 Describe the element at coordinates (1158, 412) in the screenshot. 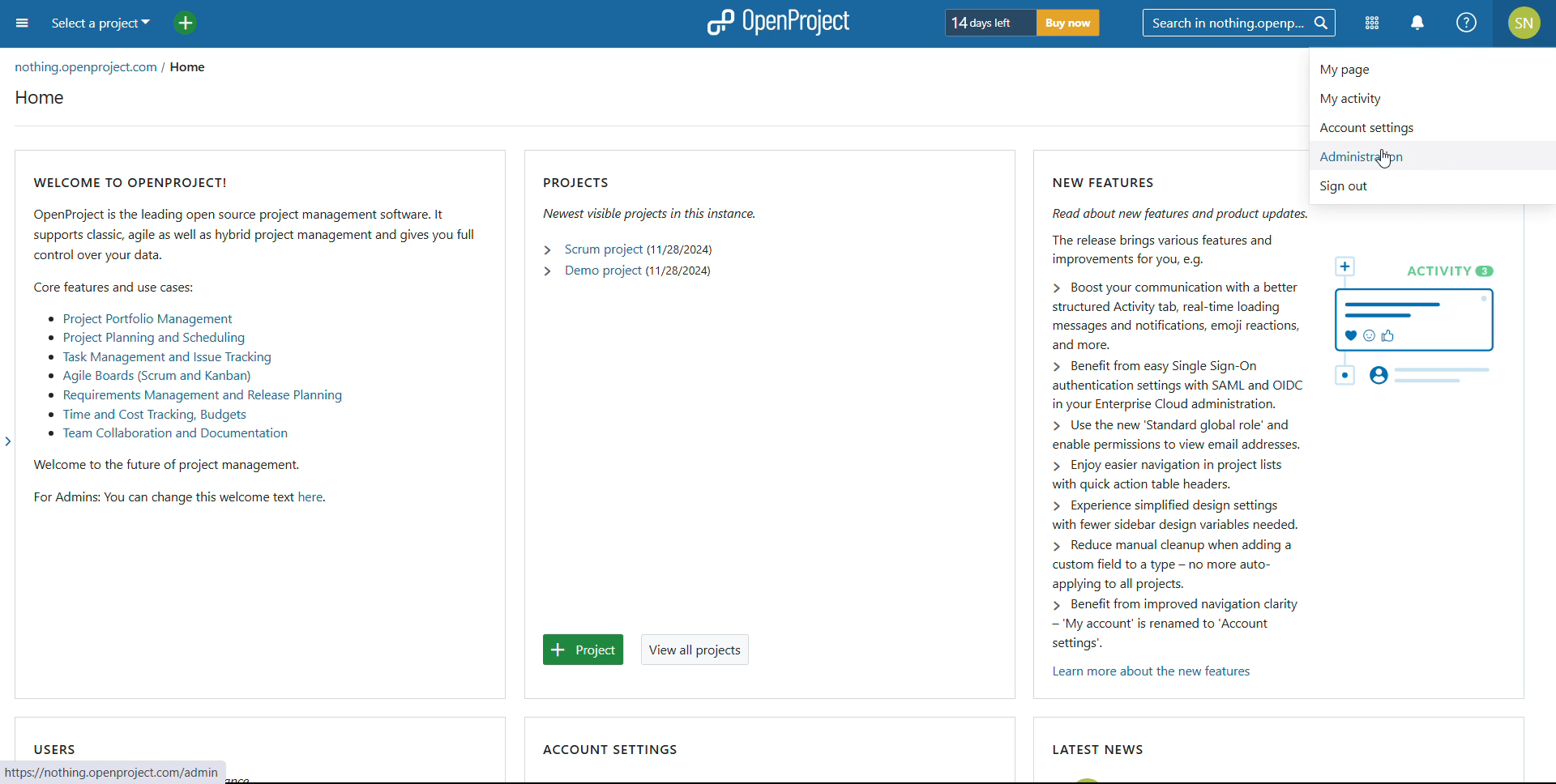

I see `NEW FEATURES

Read about new features and product updates.
The release brings various features and
improvements for you, eg.

> Boost your communication with a better
structured Activity tab, real-time loading
messages and notifications, emoji reactions,
and more.

> Benefit from easy Single Sign-On
authentication settings with SAML and OIDC
in your Enterprise Cloud administration.

> Use the new ‘Standard global role and
enable permissions to view email addresses.
> Enjoy easier navigation in project lists
with quick action table headers.

> Experience simplified design settings
with fewer sidebar design variables needed.
> Reduce manual dleanup when adding a
custom field to a type — no more auto-
applying to all projects.

> Benefit from improved navigation clarity
~ "My account’ is renamed to "Account
settings’.` at that location.